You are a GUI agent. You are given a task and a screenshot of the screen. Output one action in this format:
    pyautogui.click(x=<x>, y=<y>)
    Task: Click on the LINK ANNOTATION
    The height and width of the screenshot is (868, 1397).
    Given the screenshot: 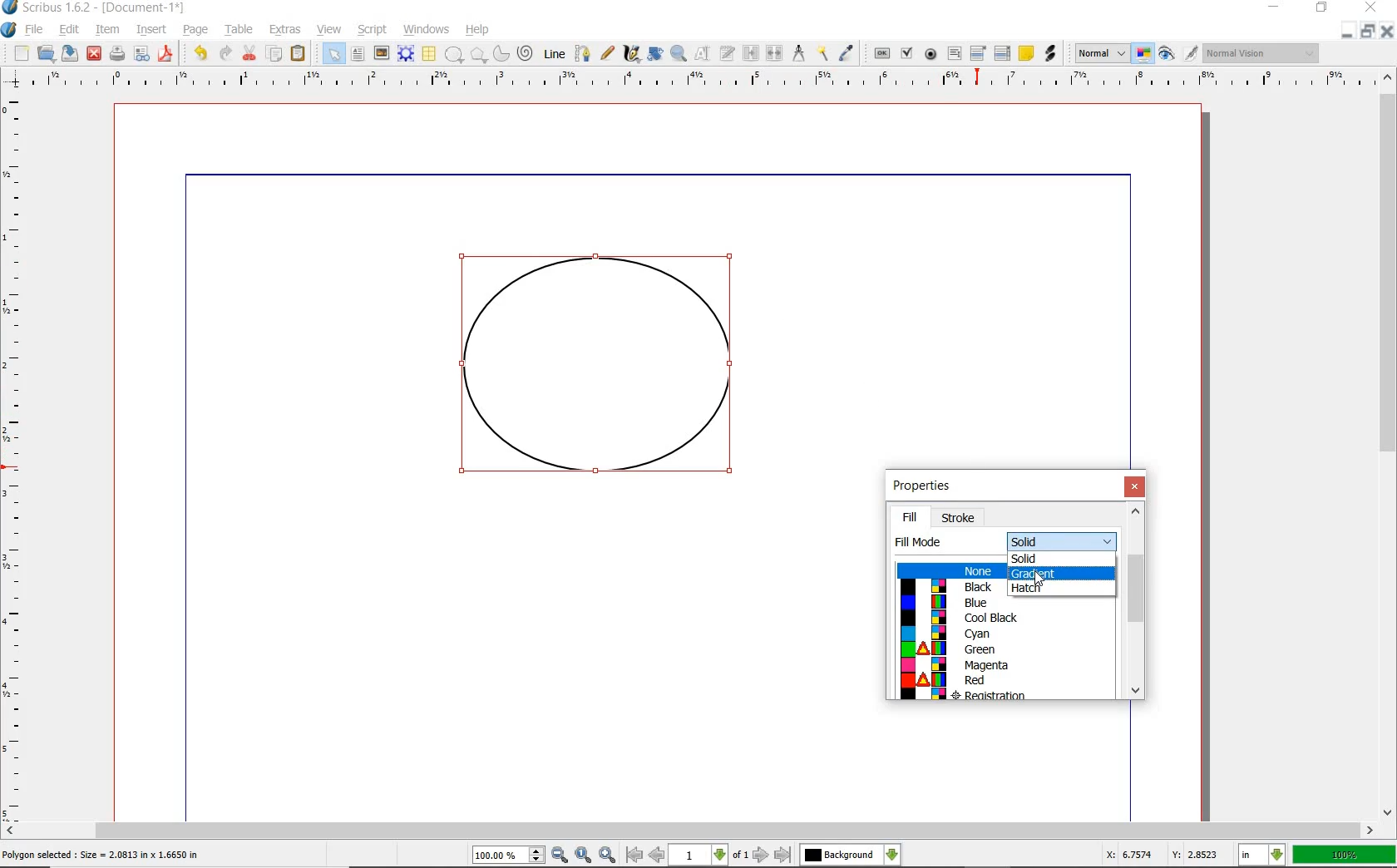 What is the action you would take?
    pyautogui.click(x=1051, y=54)
    